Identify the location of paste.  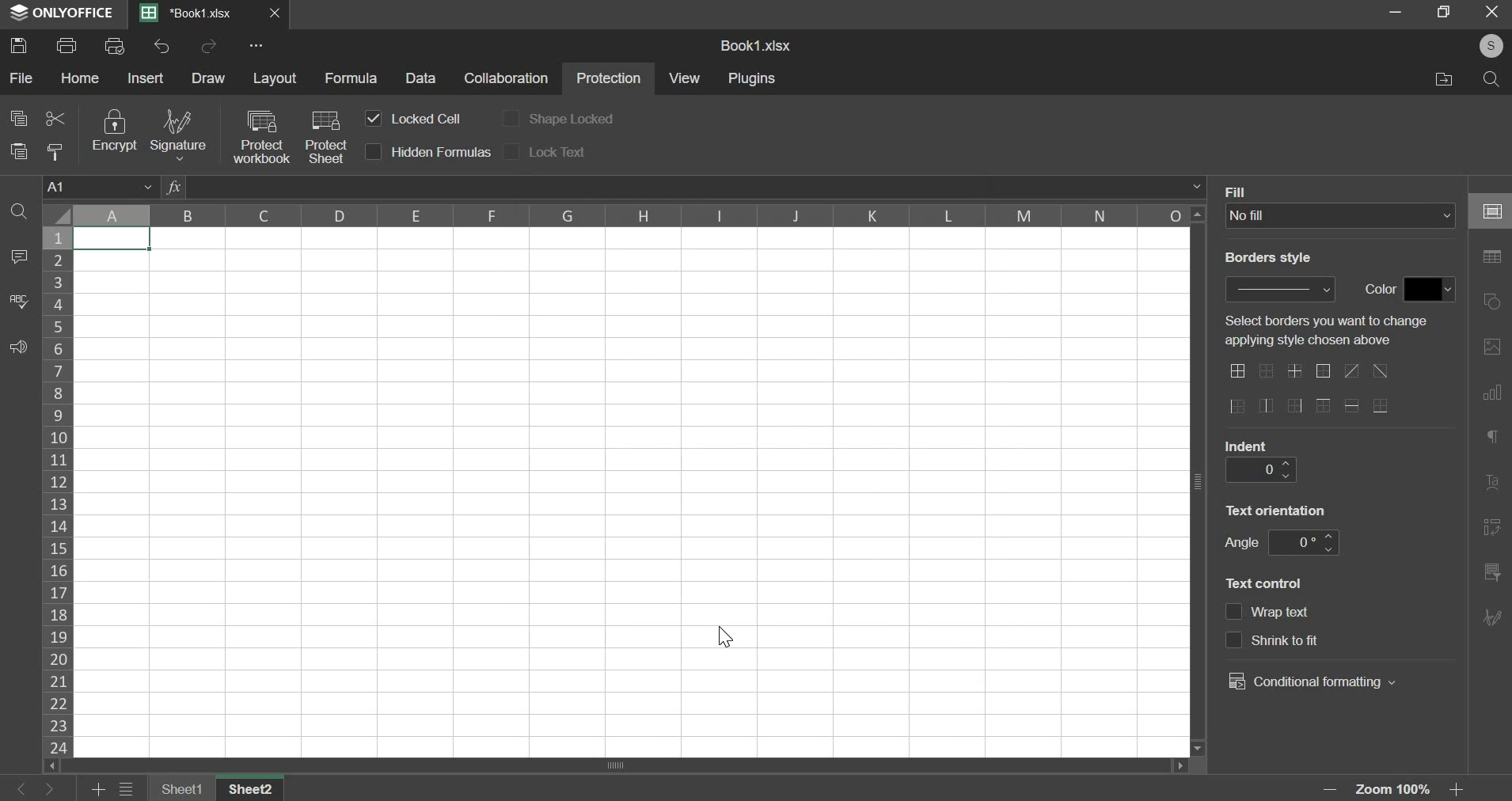
(18, 150).